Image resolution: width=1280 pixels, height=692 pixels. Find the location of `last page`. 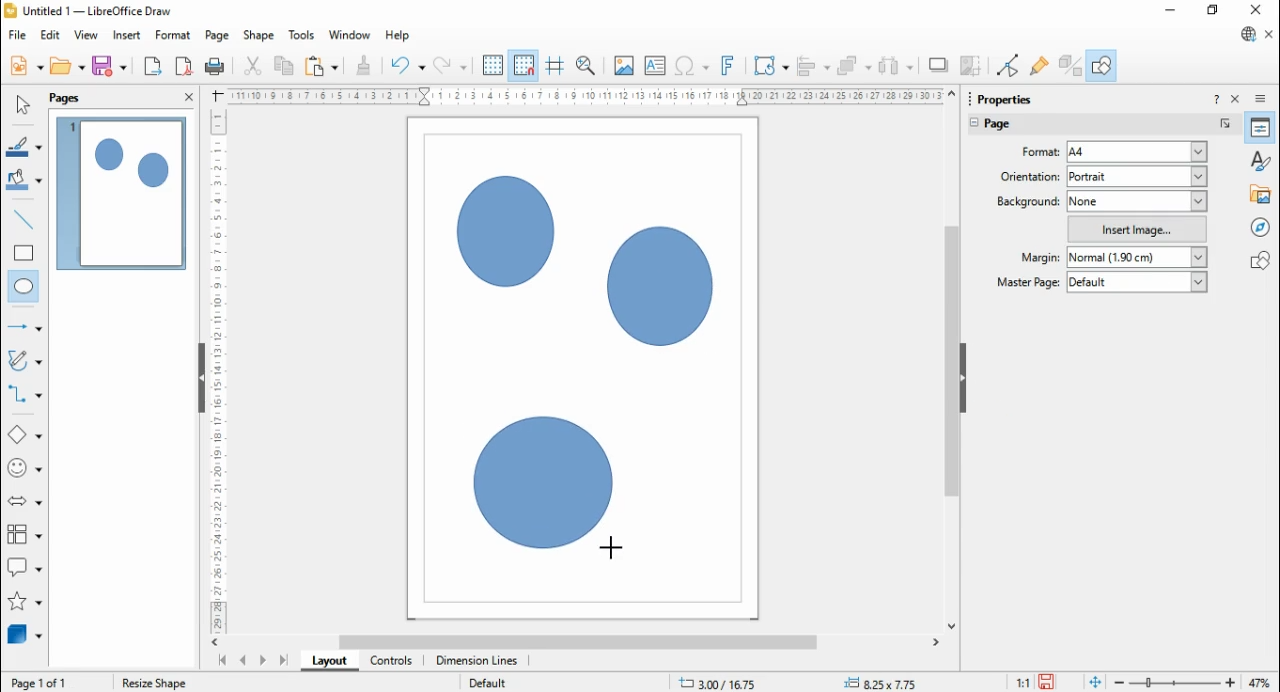

last page is located at coordinates (283, 660).